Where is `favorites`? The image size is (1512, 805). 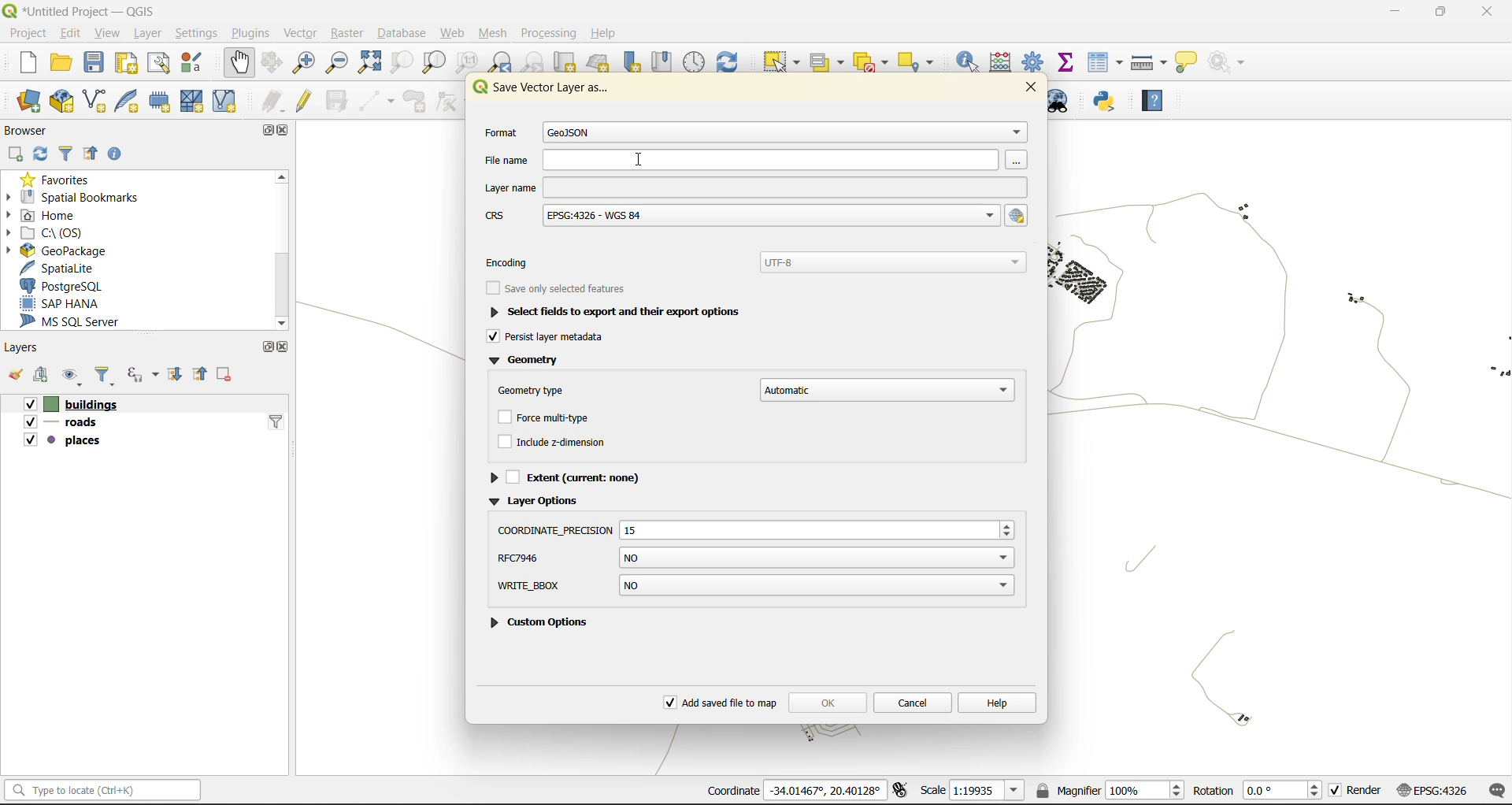 favorites is located at coordinates (65, 180).